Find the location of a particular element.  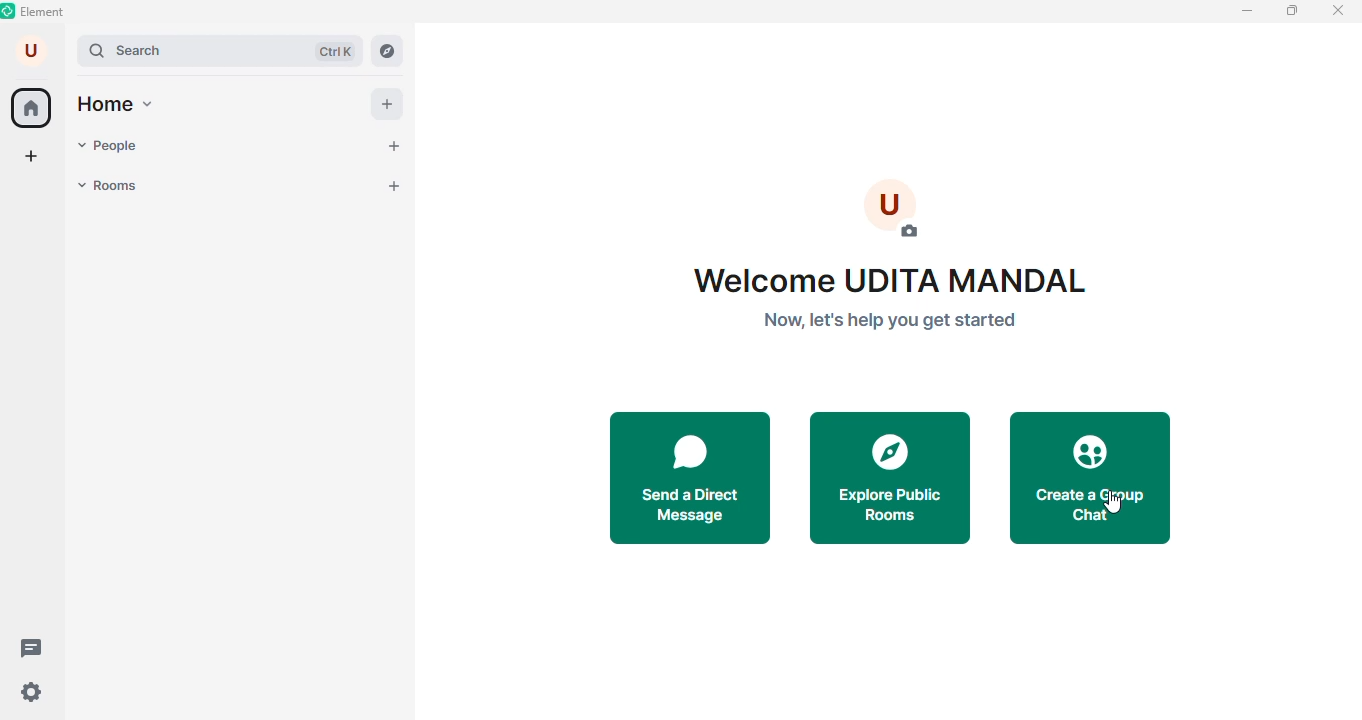

minimize  is located at coordinates (1245, 12).